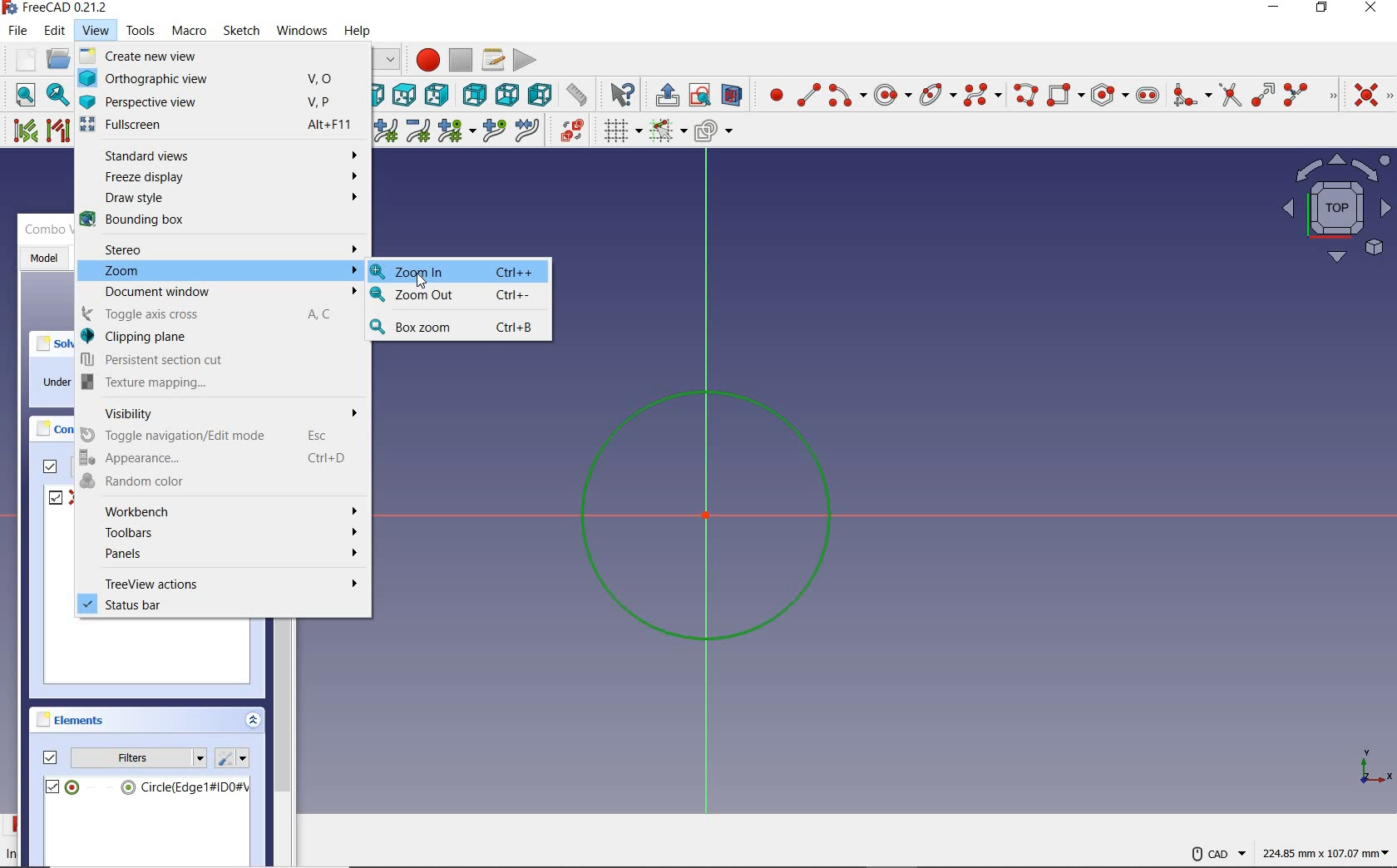 The image size is (1397, 868). Describe the element at coordinates (664, 93) in the screenshot. I see `leave sketch` at that location.